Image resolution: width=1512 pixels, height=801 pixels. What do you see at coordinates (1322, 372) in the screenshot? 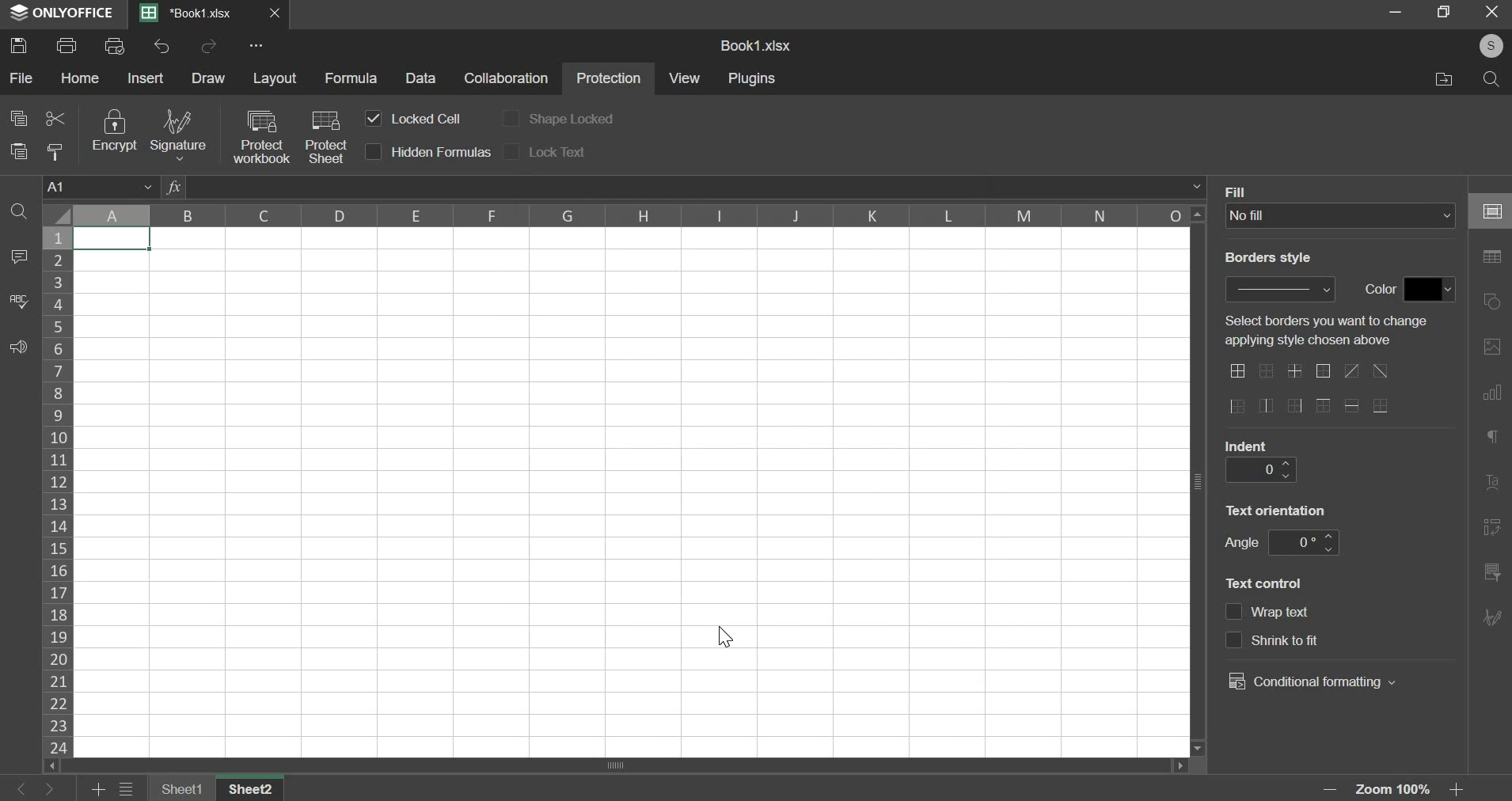
I see `border options` at bounding box center [1322, 372].